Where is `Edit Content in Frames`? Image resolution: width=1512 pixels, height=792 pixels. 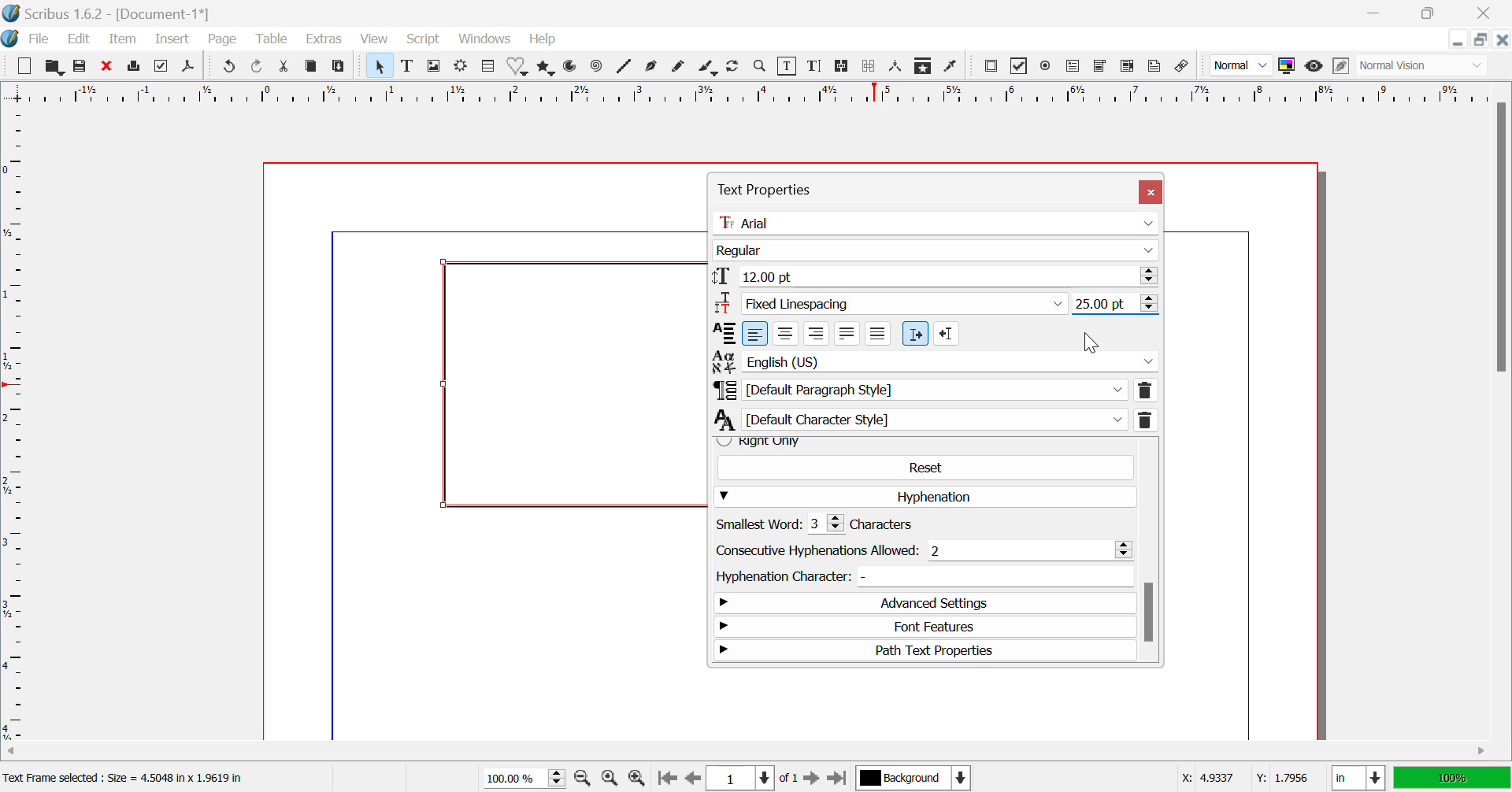 Edit Content in Frames is located at coordinates (790, 66).